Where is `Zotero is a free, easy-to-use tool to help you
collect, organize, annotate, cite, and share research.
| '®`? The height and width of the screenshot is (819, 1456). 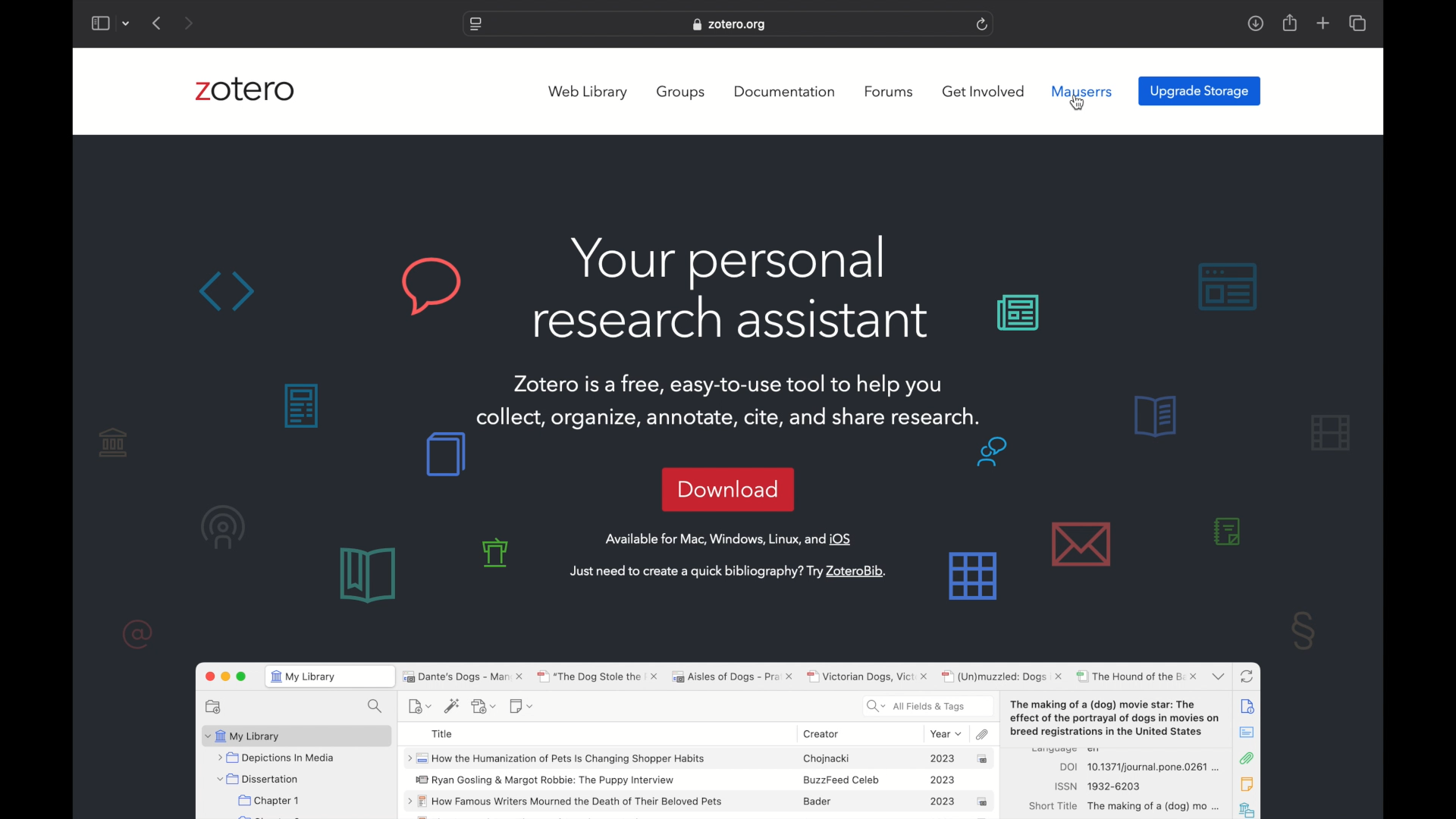
Zotero is a free, easy-to-use tool to help you
collect, organize, annotate, cite, and share research.
| '® is located at coordinates (730, 400).